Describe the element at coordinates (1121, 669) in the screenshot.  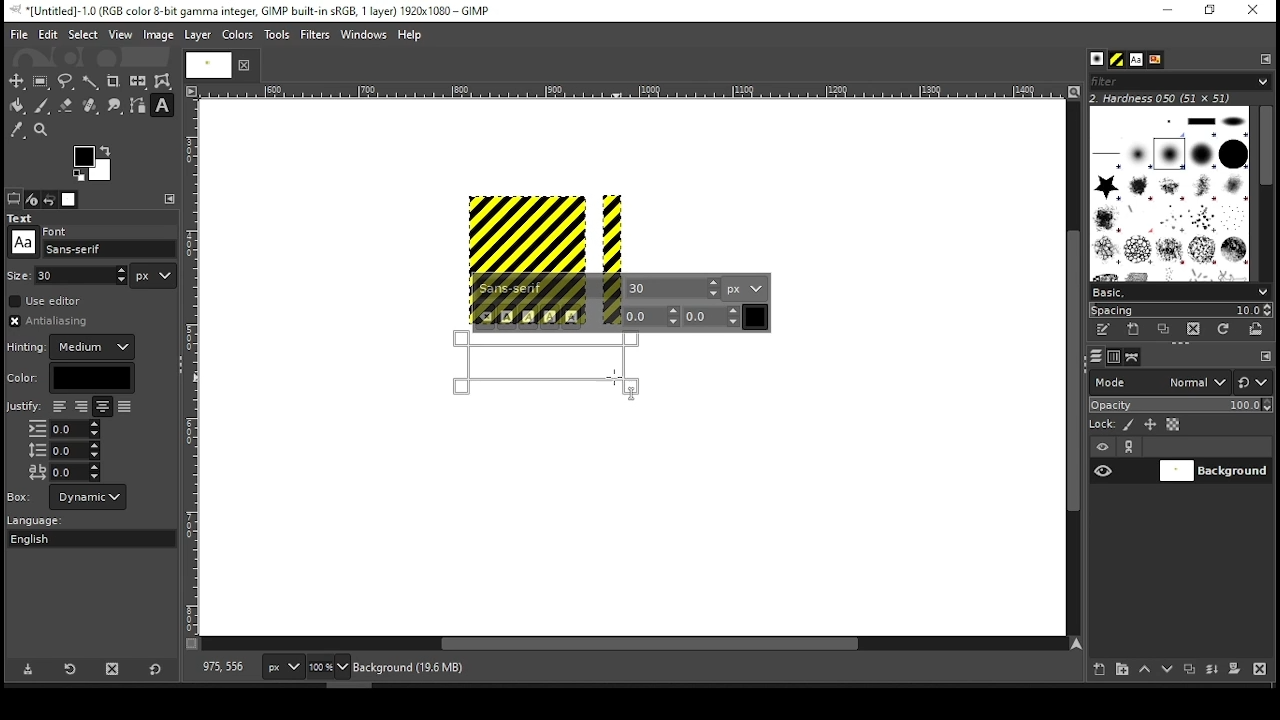
I see `new layer group  ` at that location.